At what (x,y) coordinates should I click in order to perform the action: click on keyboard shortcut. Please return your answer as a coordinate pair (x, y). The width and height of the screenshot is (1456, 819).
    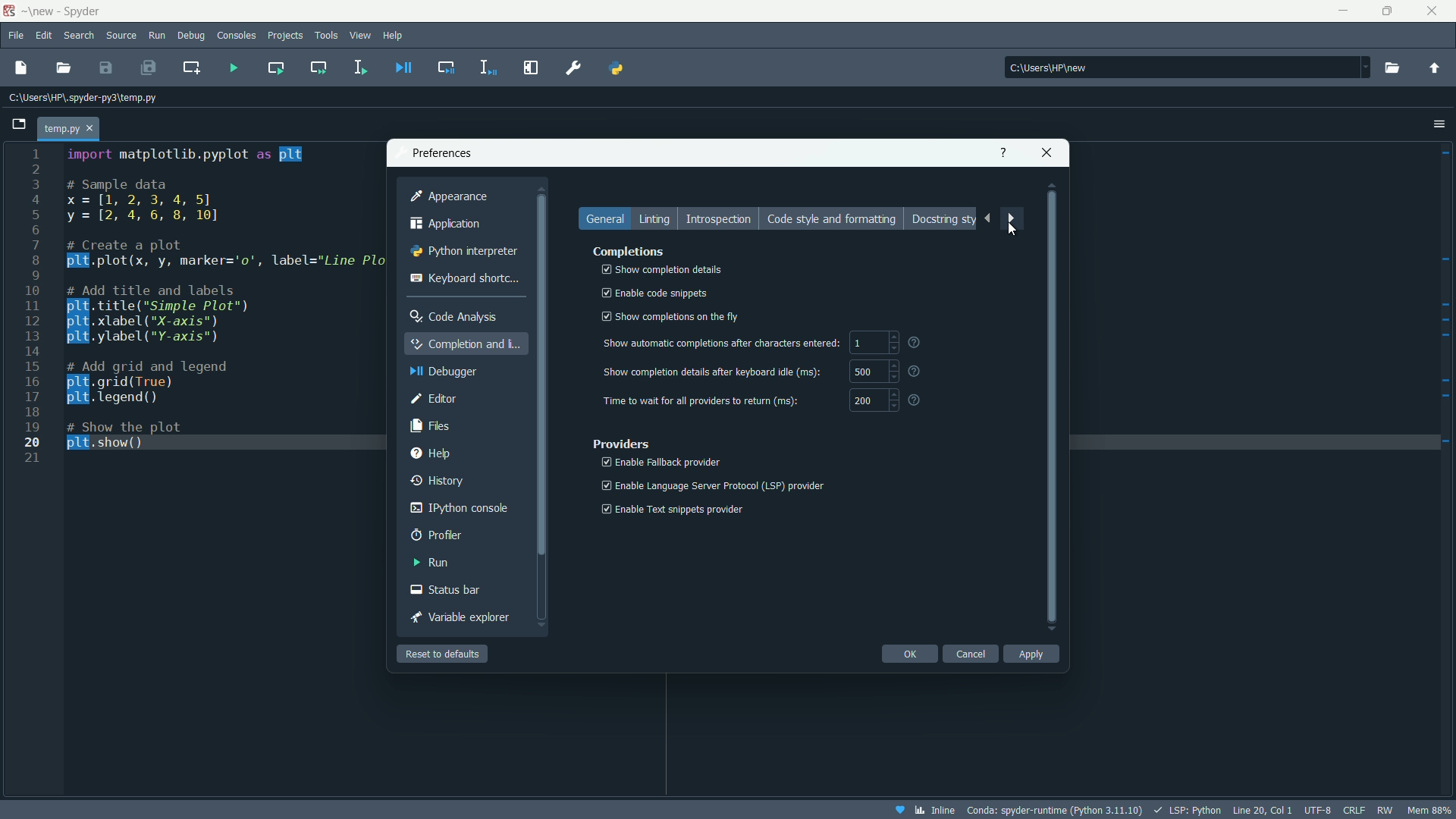
    Looking at the image, I should click on (466, 278).